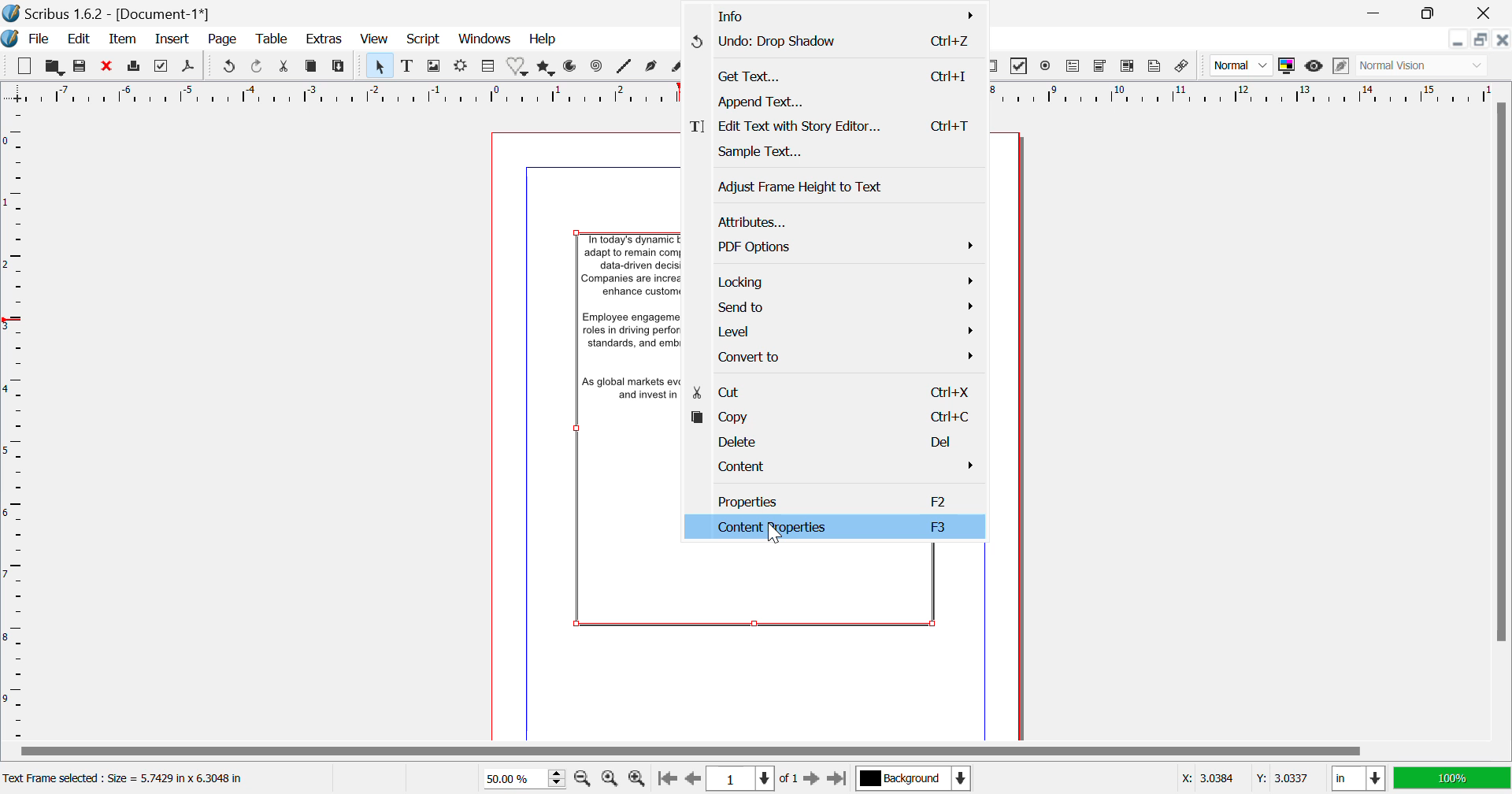 Image resolution: width=1512 pixels, height=794 pixels. Describe the element at coordinates (55, 65) in the screenshot. I see `Open to` at that location.